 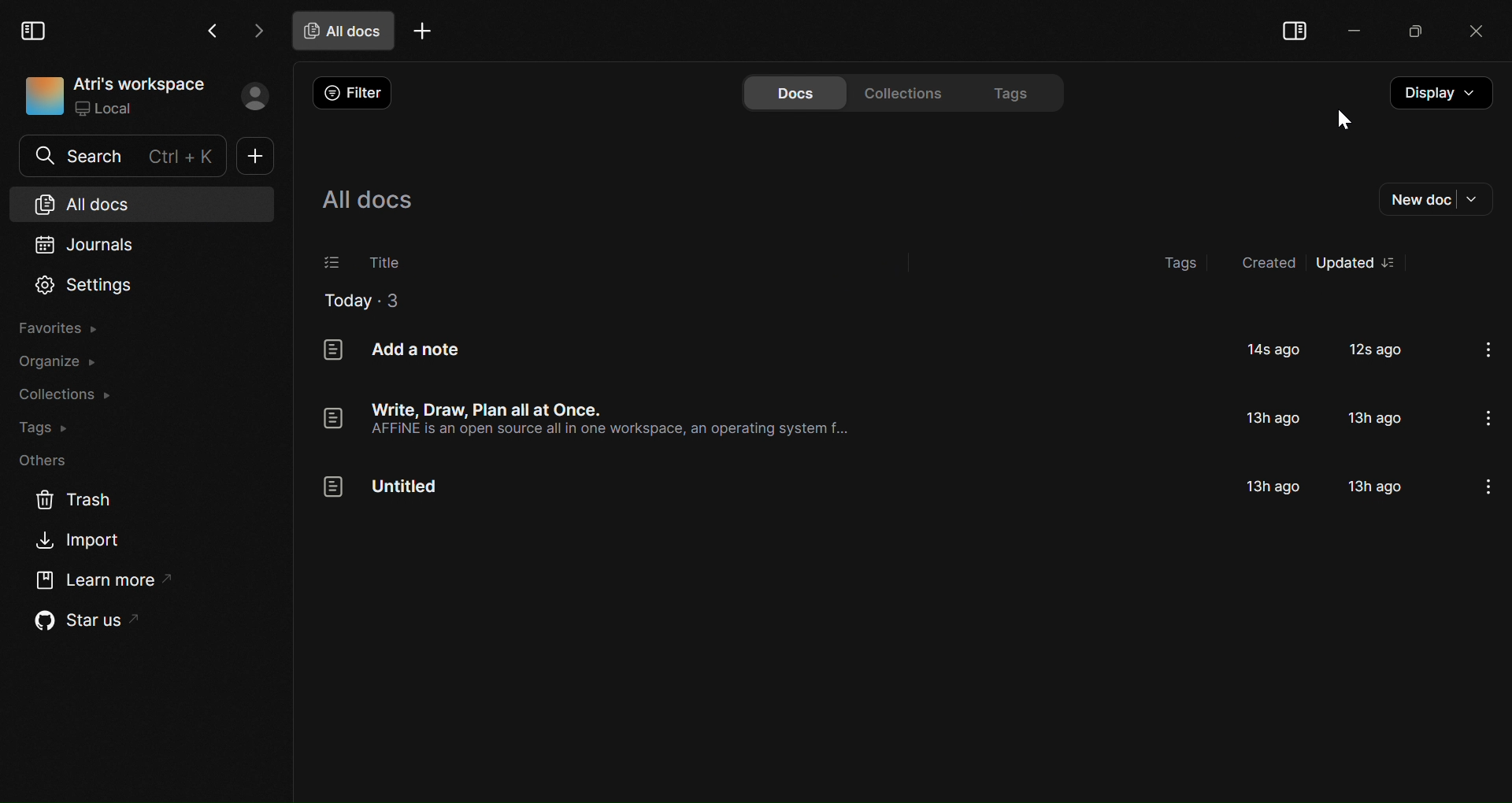 What do you see at coordinates (83, 540) in the screenshot?
I see `Import` at bounding box center [83, 540].